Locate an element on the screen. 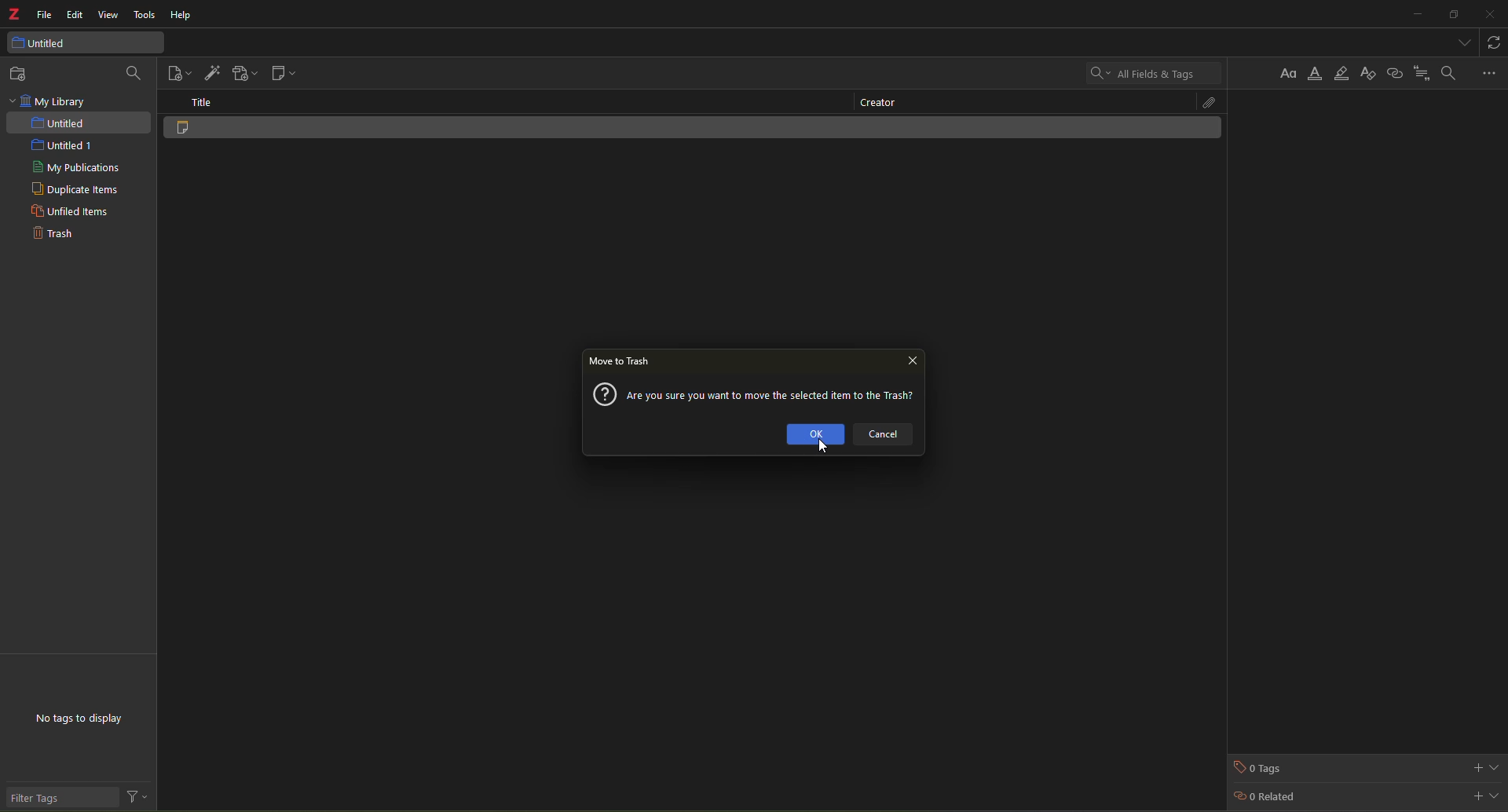  duplicate items is located at coordinates (78, 192).